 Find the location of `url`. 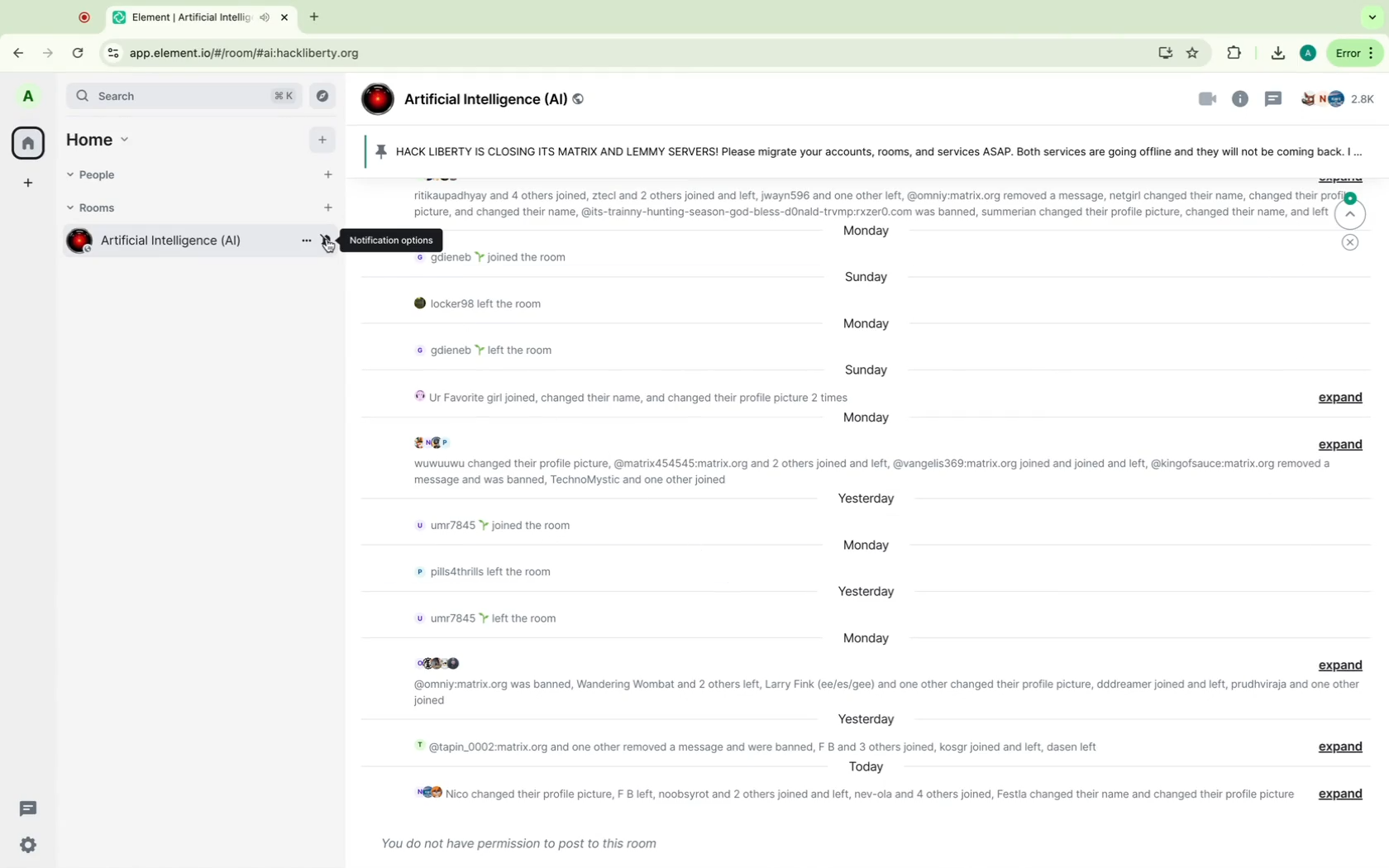

url is located at coordinates (261, 53).